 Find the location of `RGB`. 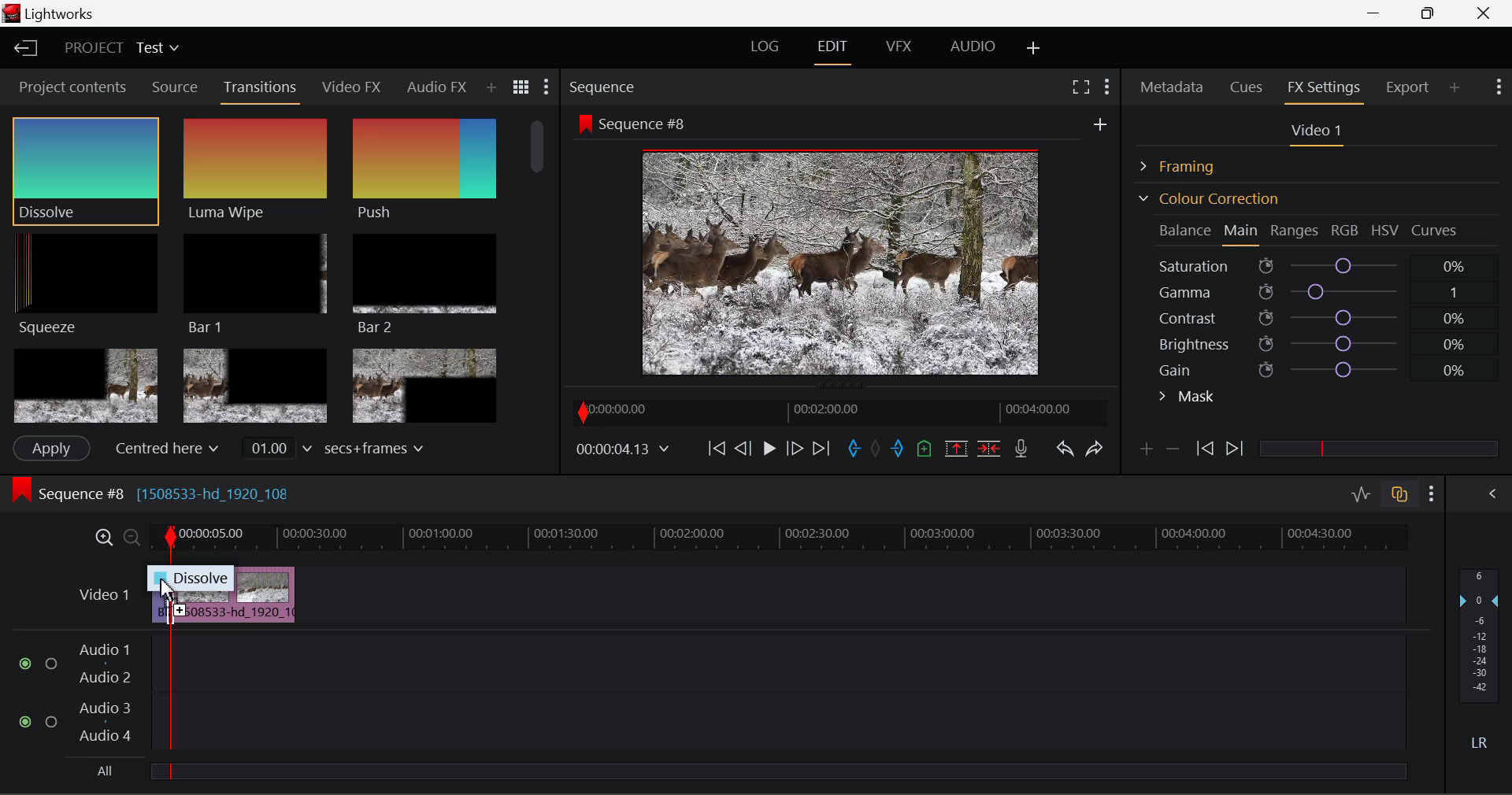

RGB is located at coordinates (1346, 231).